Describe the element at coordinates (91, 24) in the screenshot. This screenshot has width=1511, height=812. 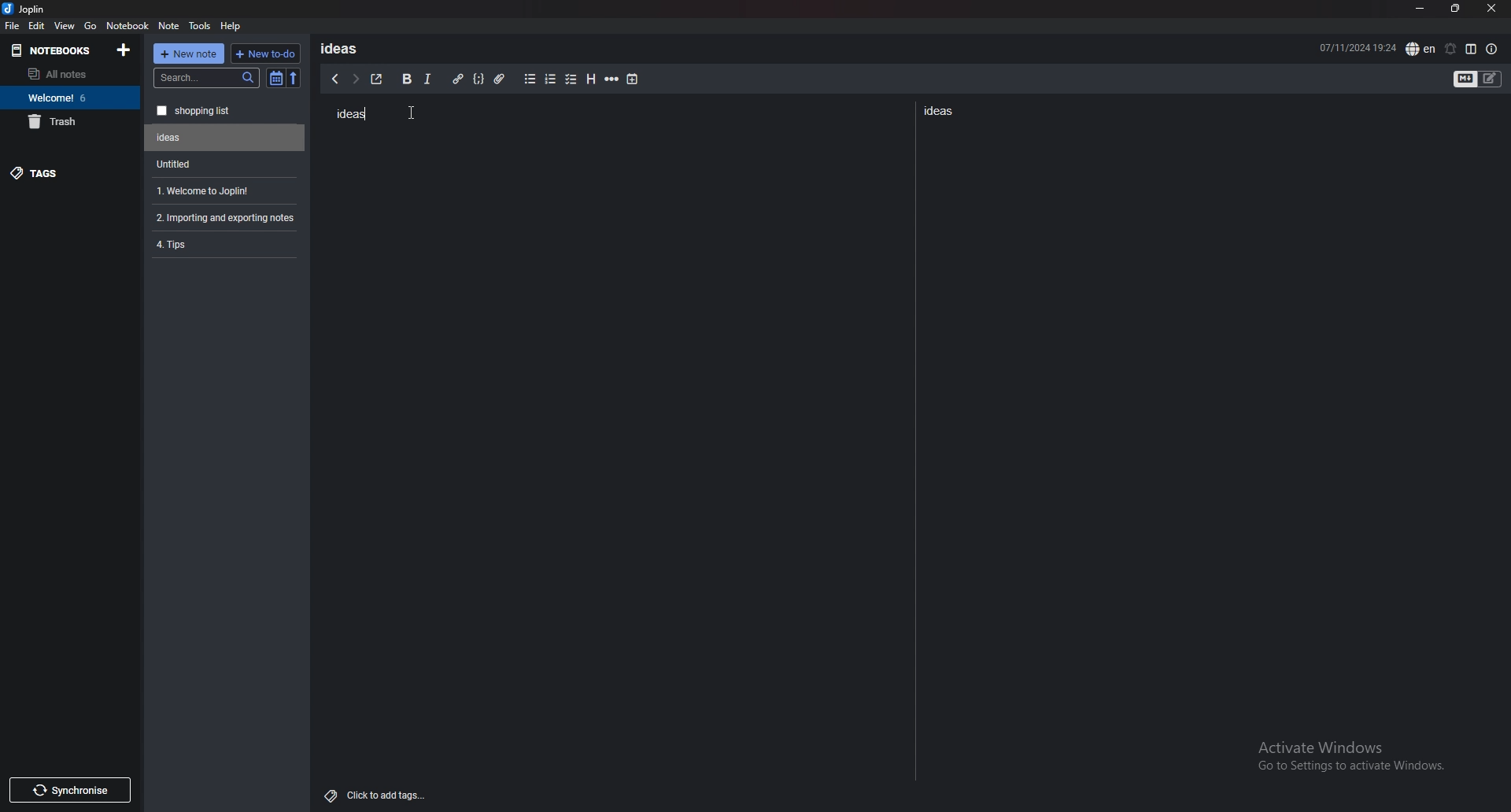
I see `go` at that location.